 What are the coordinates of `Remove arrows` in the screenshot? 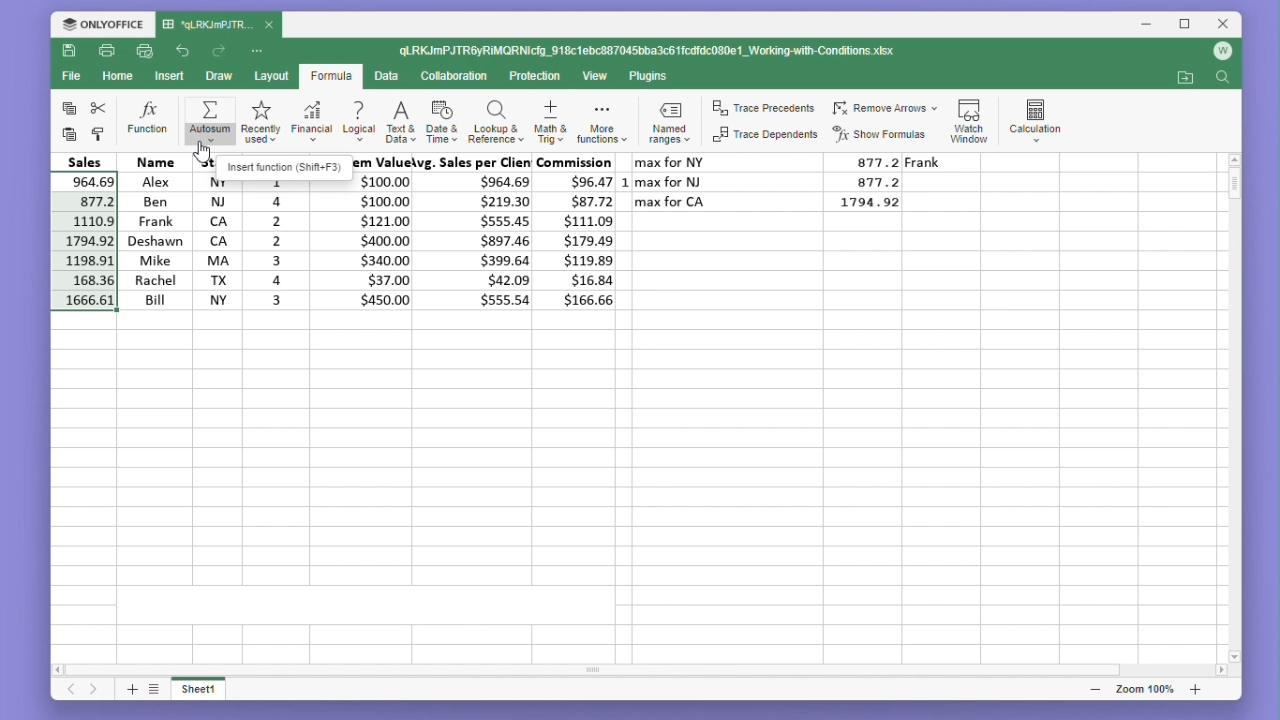 It's located at (884, 109).